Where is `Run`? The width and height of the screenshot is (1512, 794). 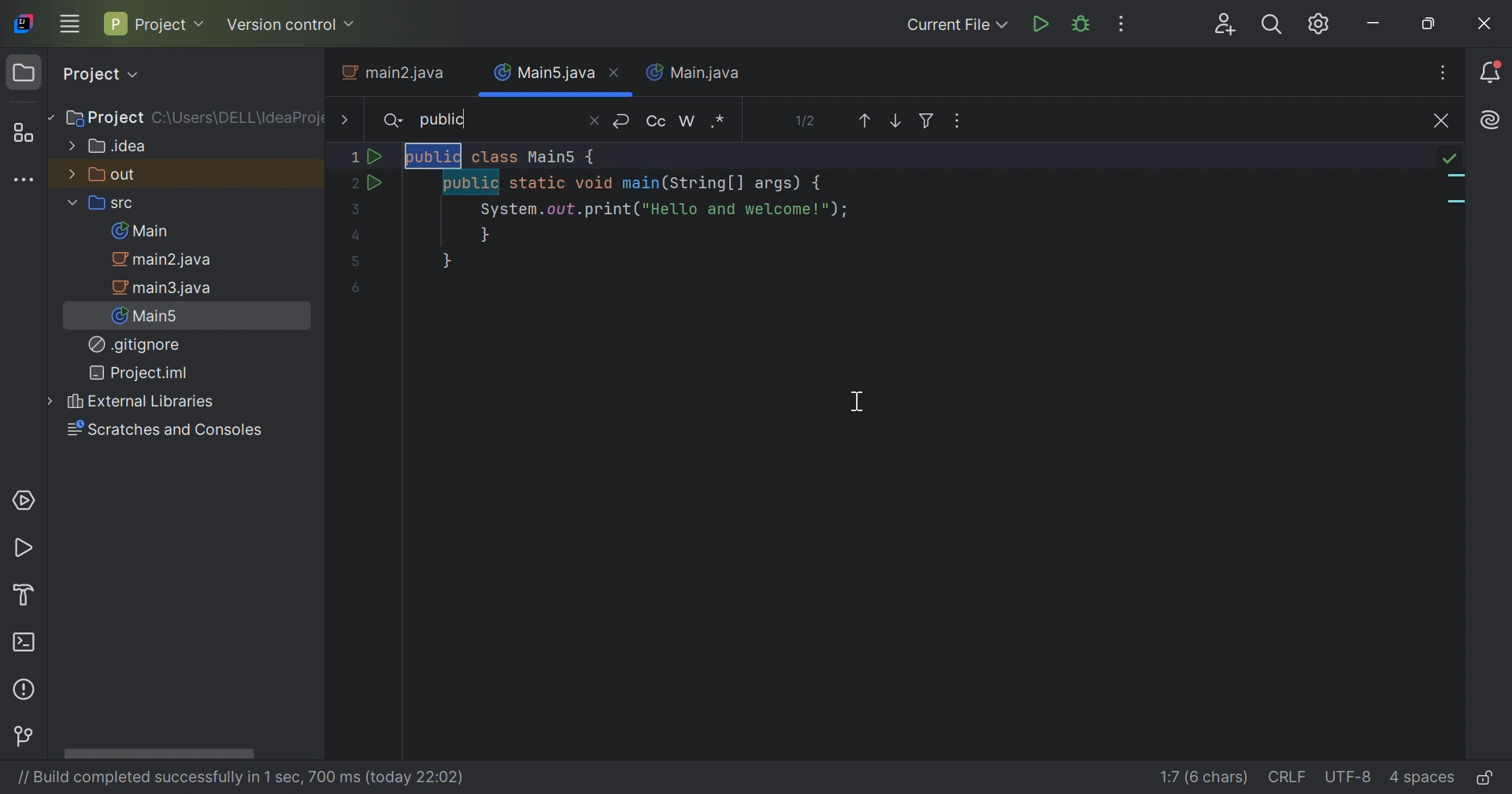 Run is located at coordinates (376, 158).